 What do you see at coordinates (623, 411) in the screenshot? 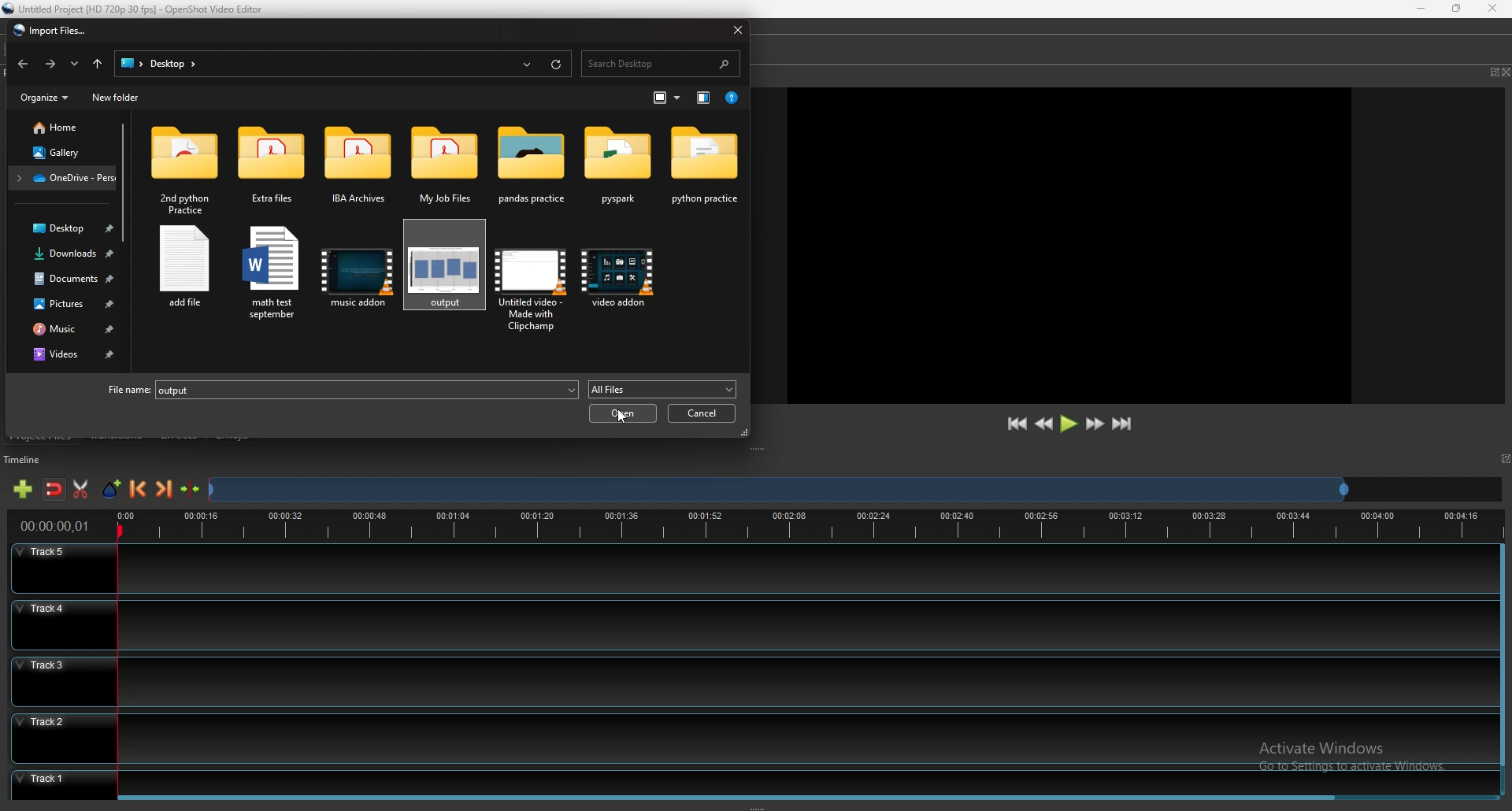
I see `open` at bounding box center [623, 411].